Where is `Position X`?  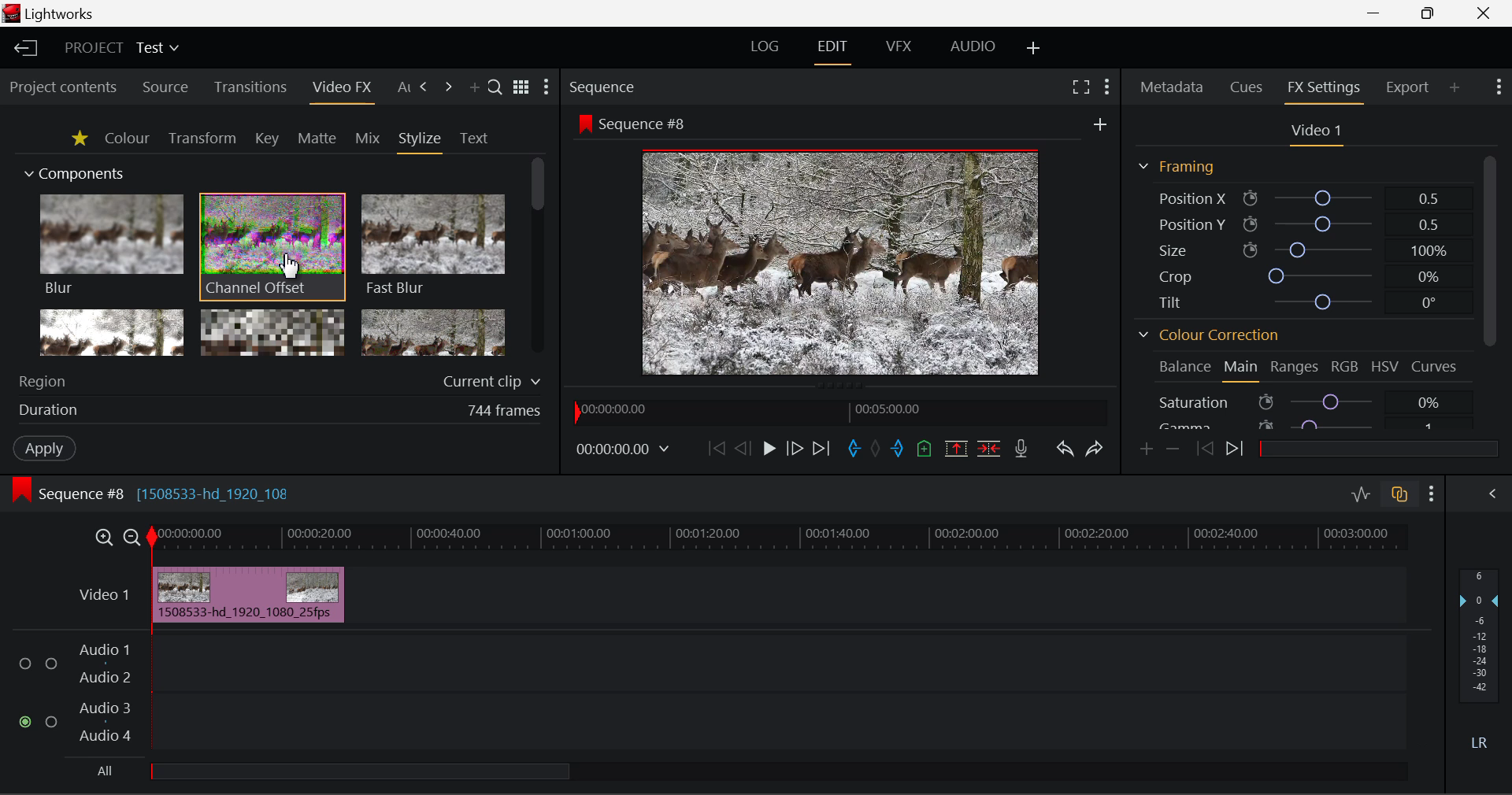 Position X is located at coordinates (1303, 198).